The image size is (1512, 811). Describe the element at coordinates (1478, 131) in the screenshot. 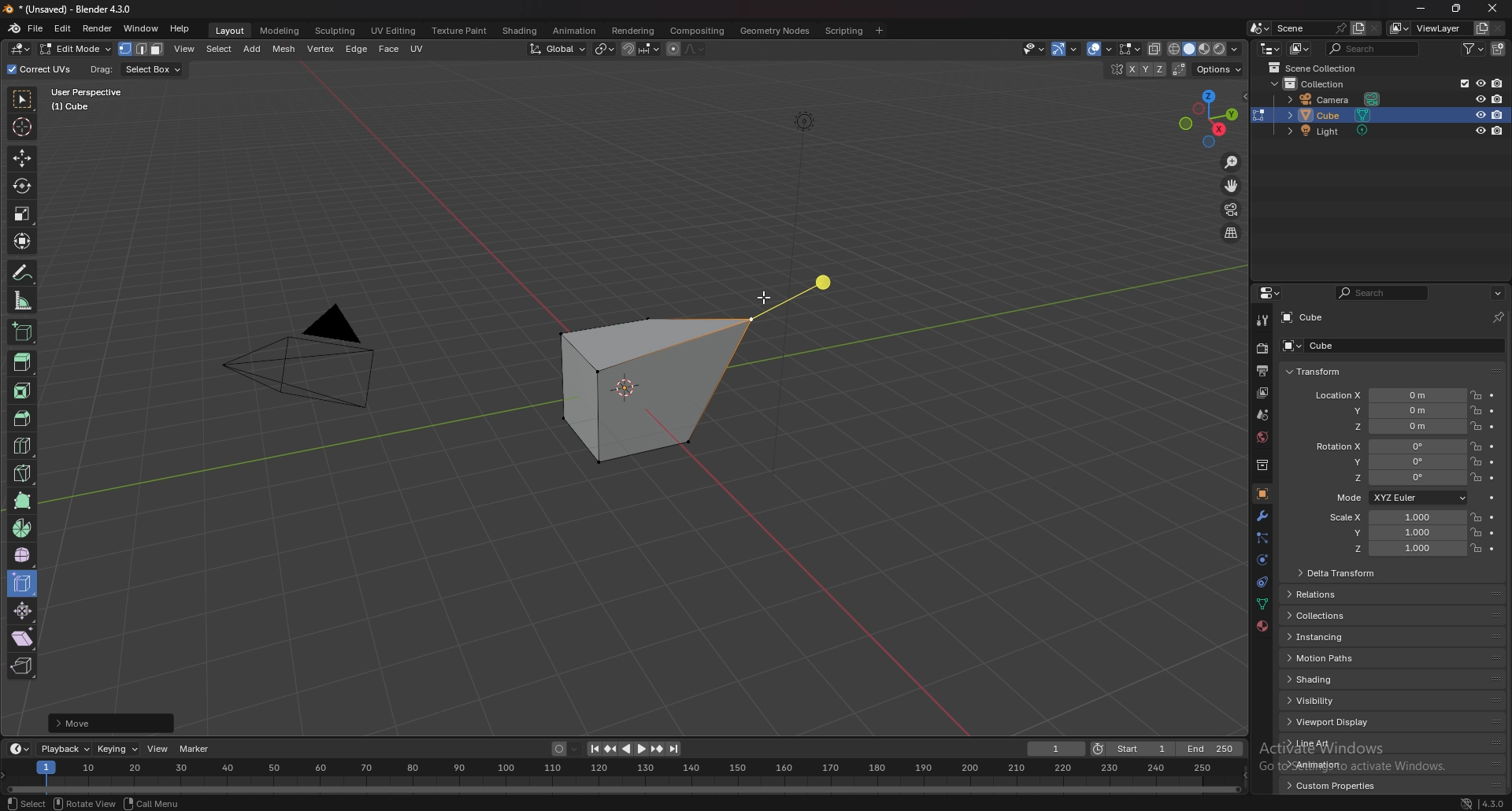

I see `hide in viewport` at that location.